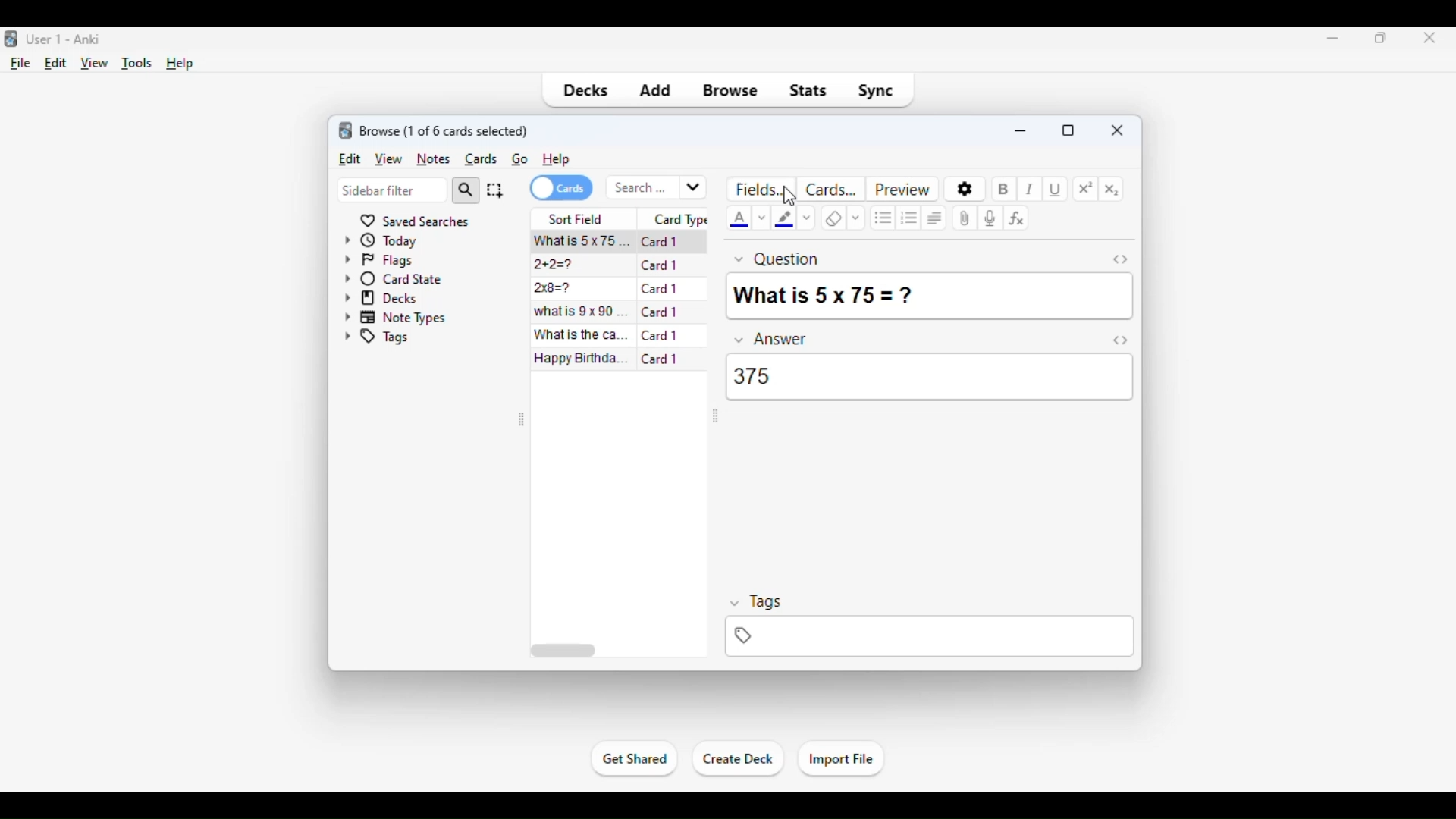  I want to click on minimize, so click(1333, 37).